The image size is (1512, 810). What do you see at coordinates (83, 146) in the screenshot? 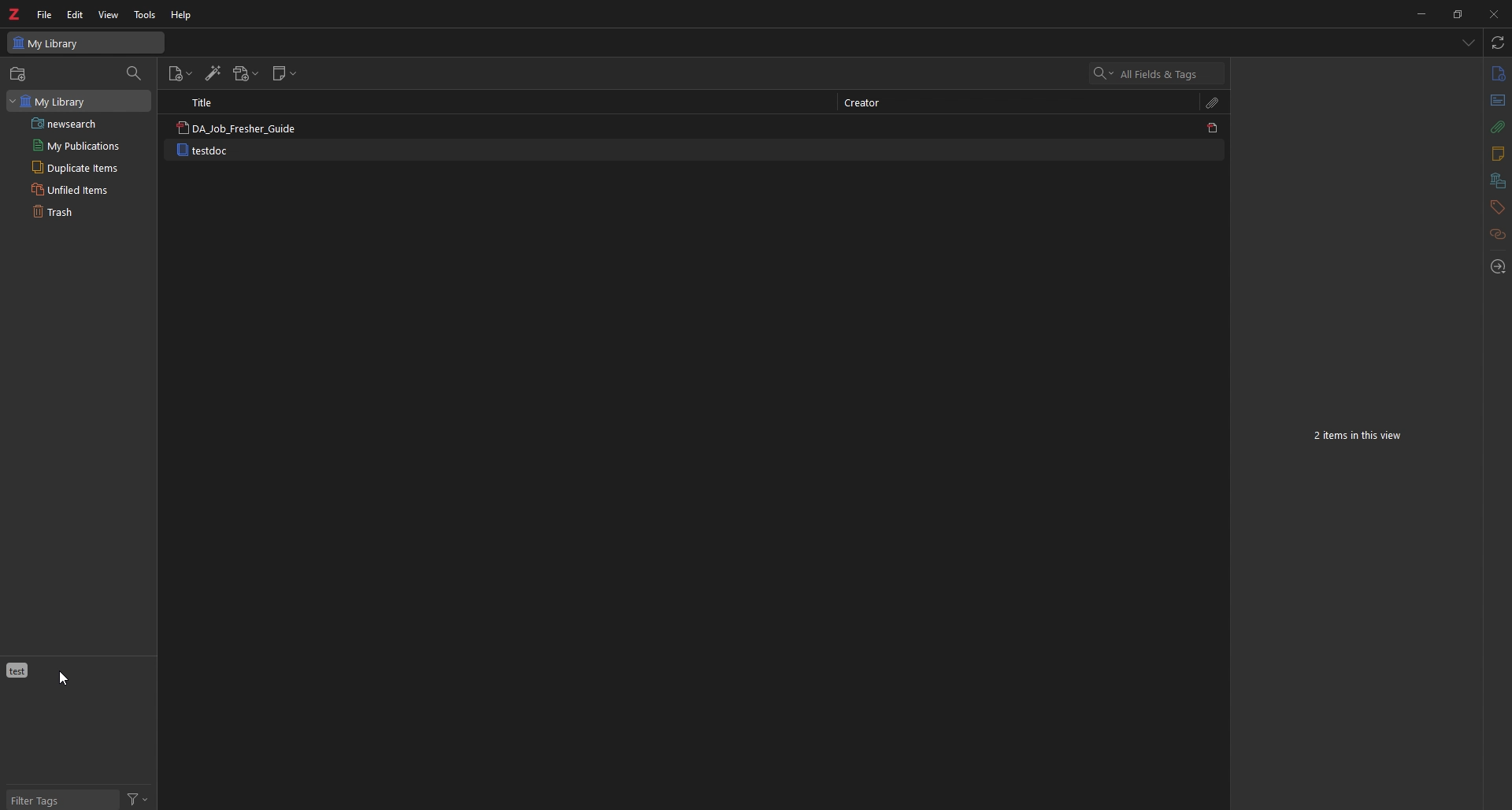
I see `my publications` at bounding box center [83, 146].